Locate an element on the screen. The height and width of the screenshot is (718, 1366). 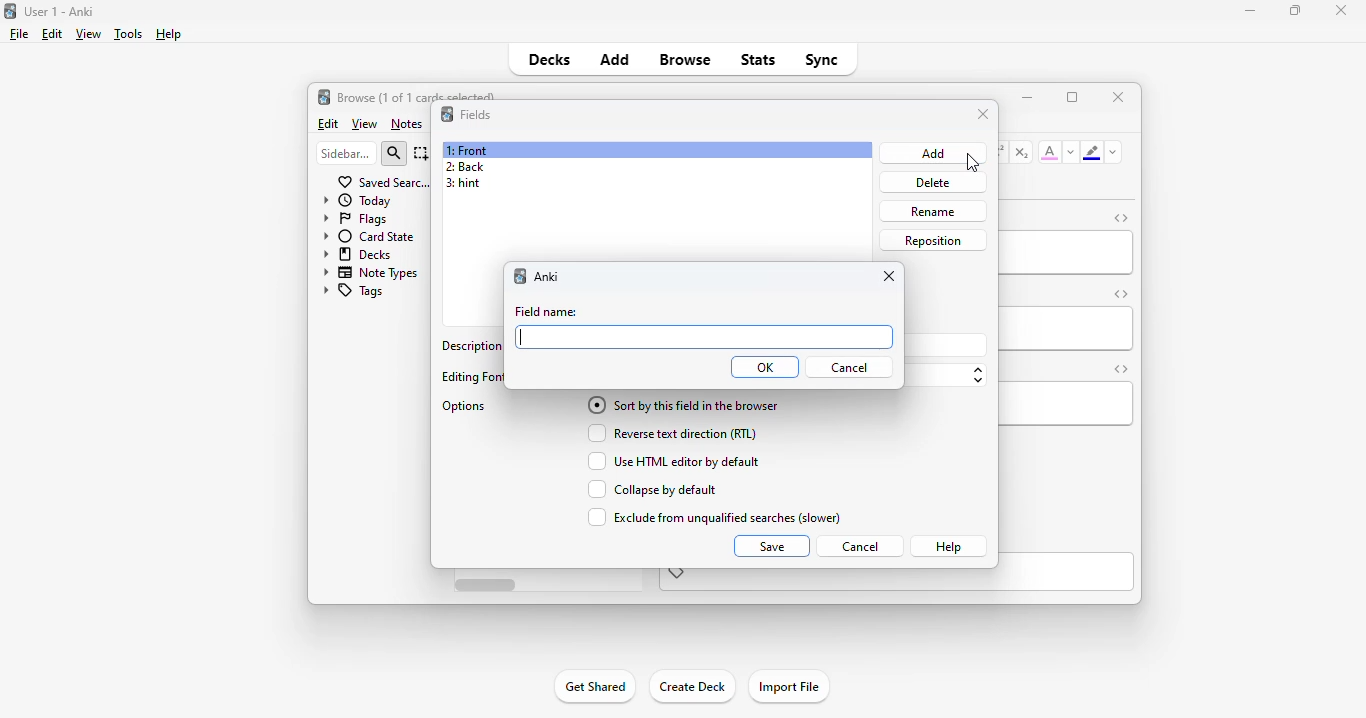
tags is located at coordinates (352, 292).